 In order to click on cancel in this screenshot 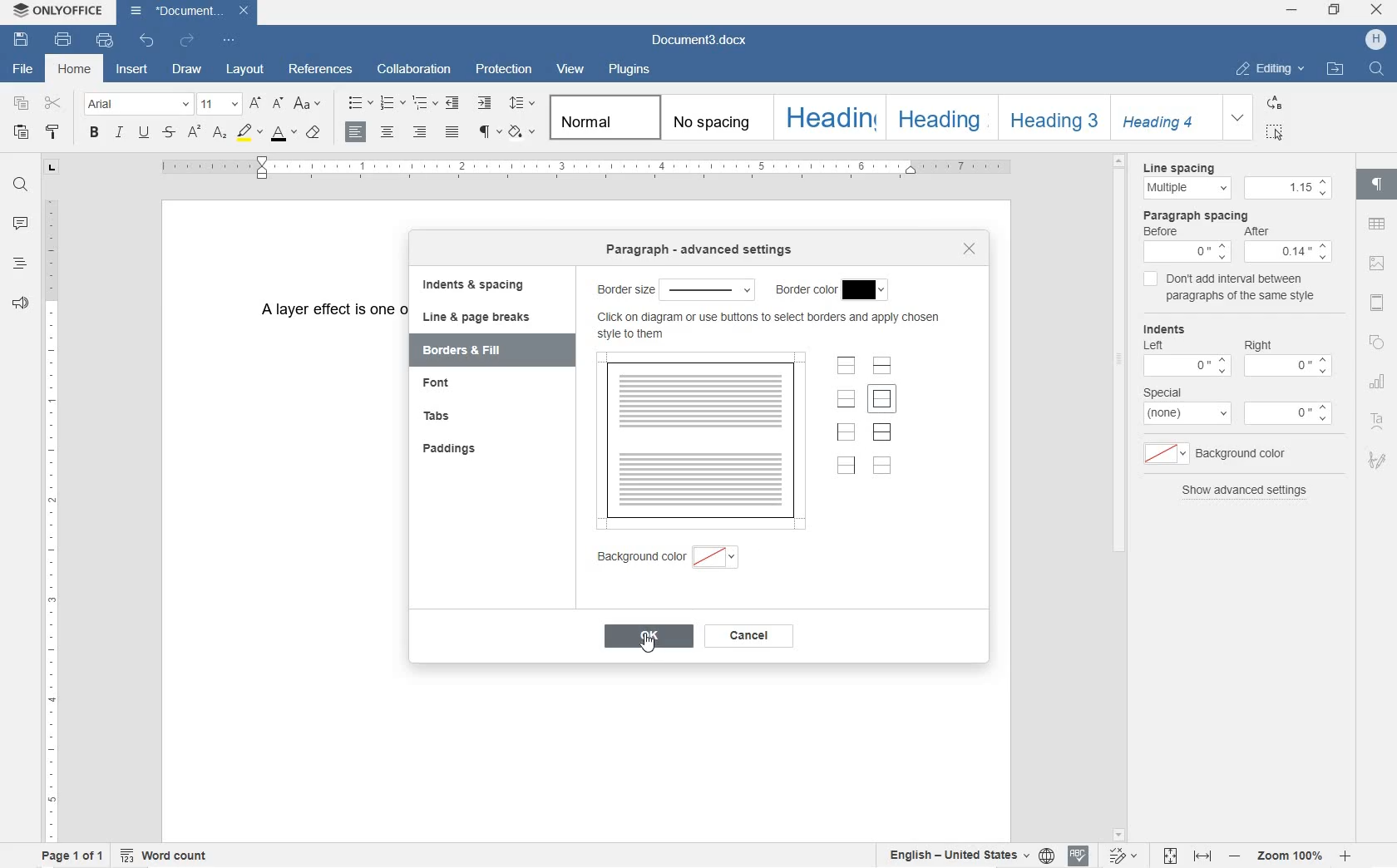, I will do `click(747, 636)`.